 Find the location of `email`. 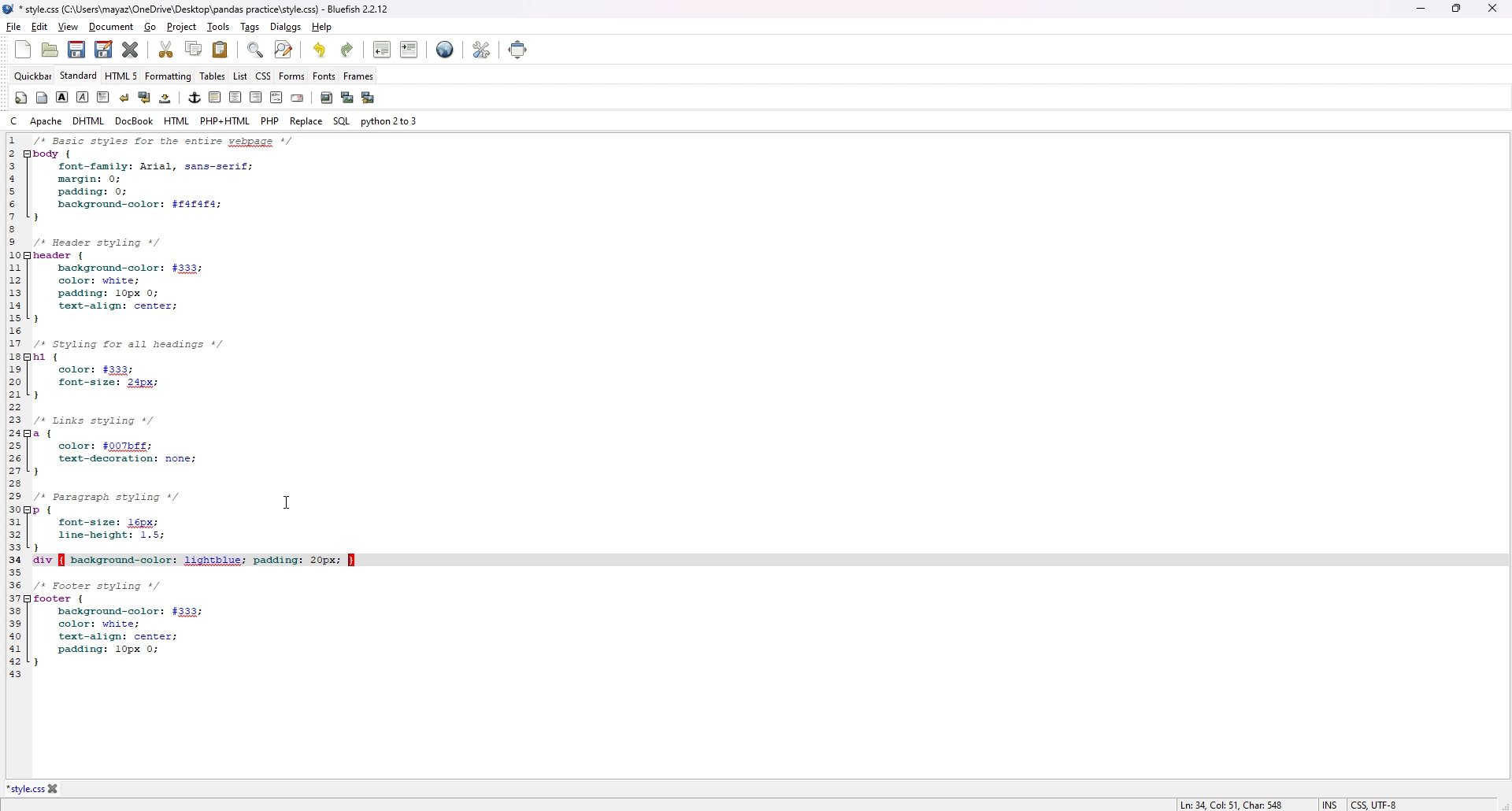

email is located at coordinates (299, 98).